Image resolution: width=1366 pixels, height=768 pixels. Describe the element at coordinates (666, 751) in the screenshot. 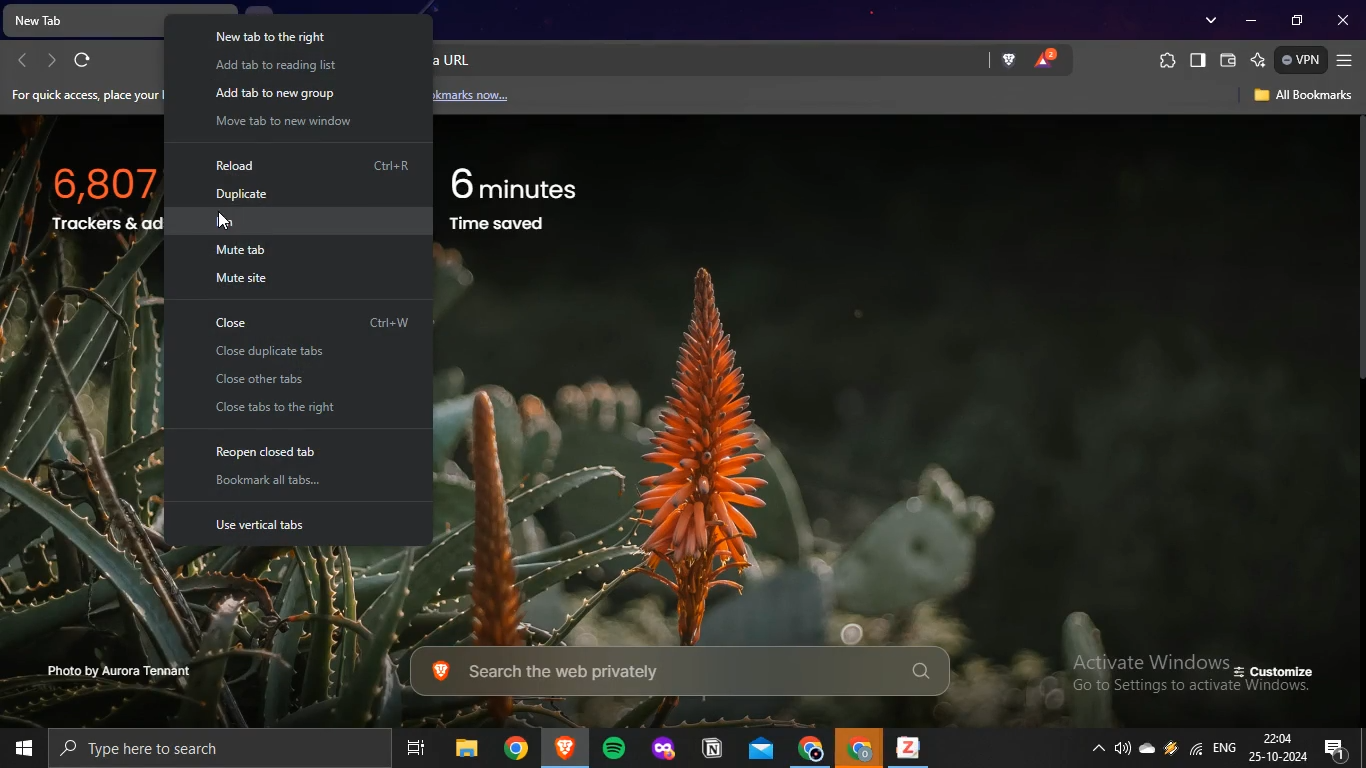

I see `mozilla firefox` at that location.